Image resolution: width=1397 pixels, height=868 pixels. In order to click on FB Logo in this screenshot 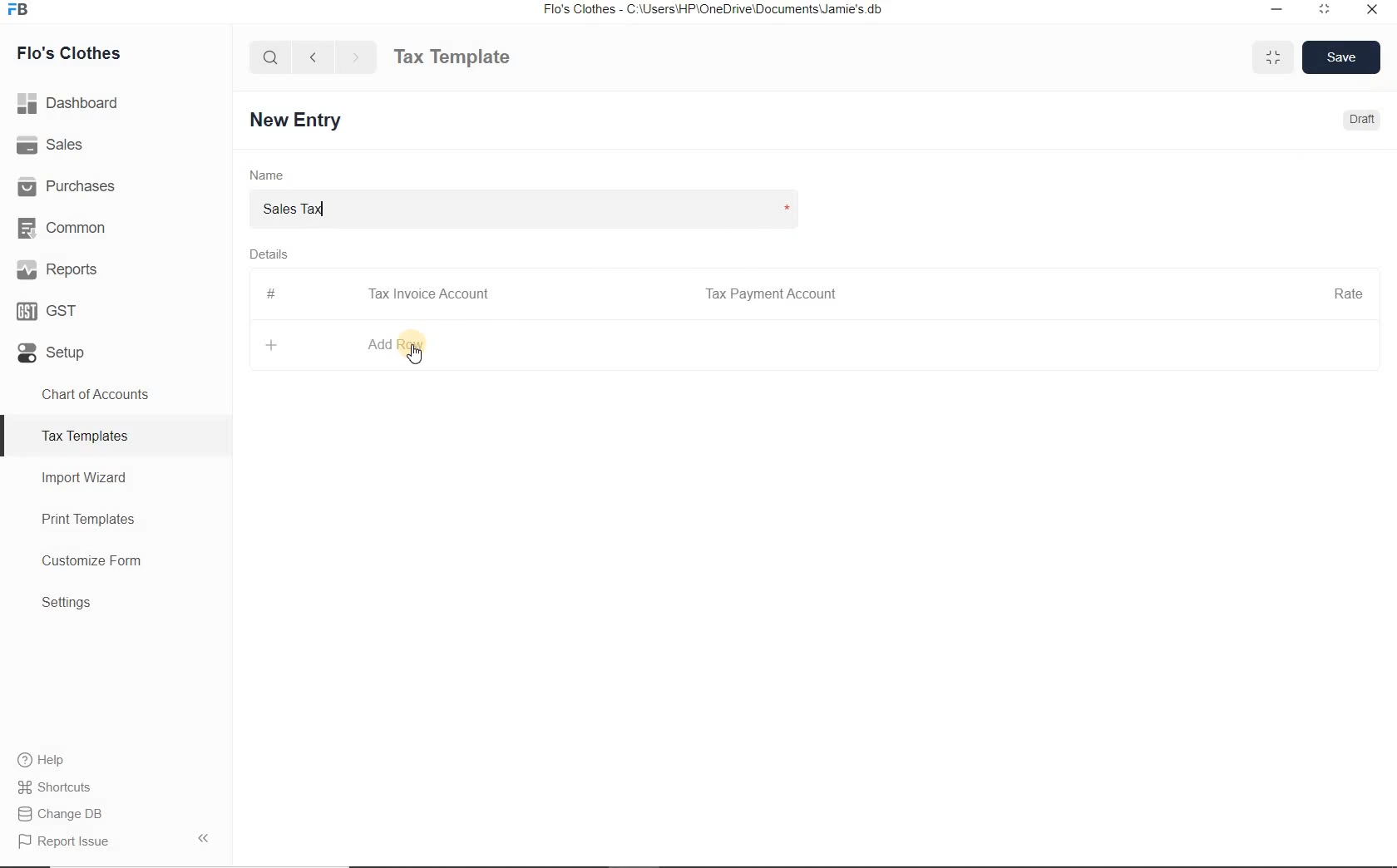, I will do `click(17, 10)`.